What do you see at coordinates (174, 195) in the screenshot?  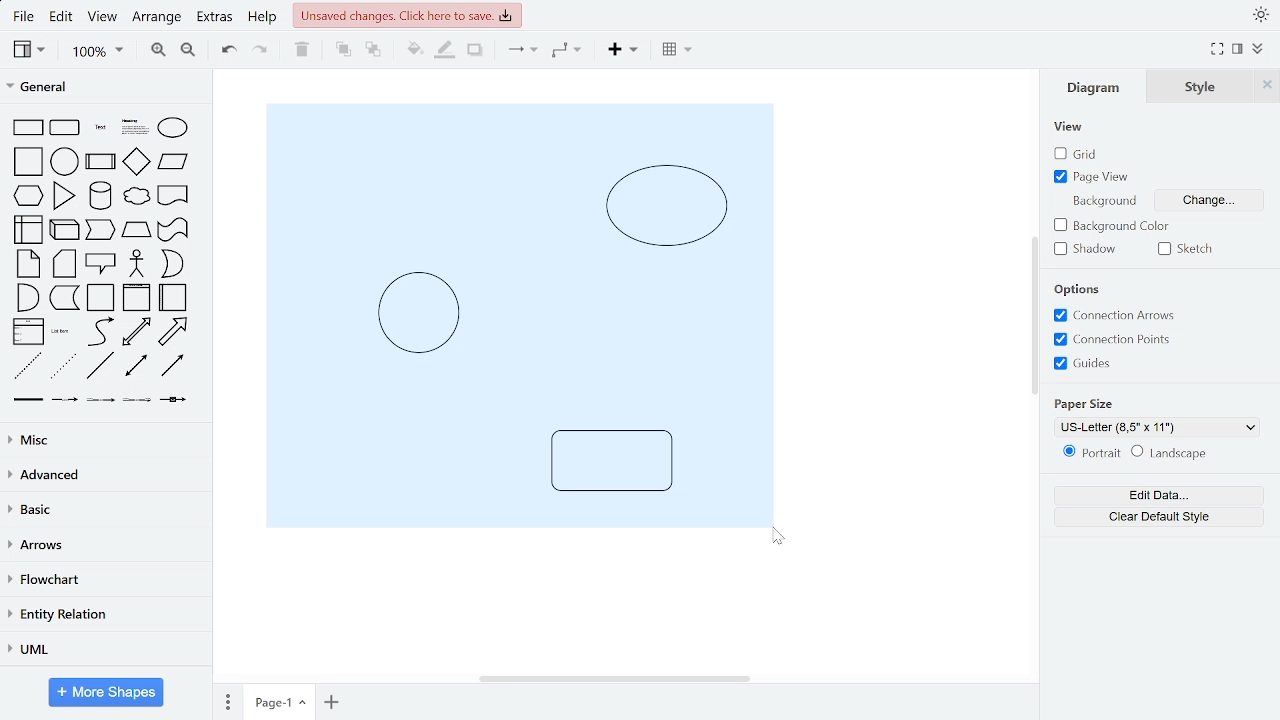 I see `document` at bounding box center [174, 195].